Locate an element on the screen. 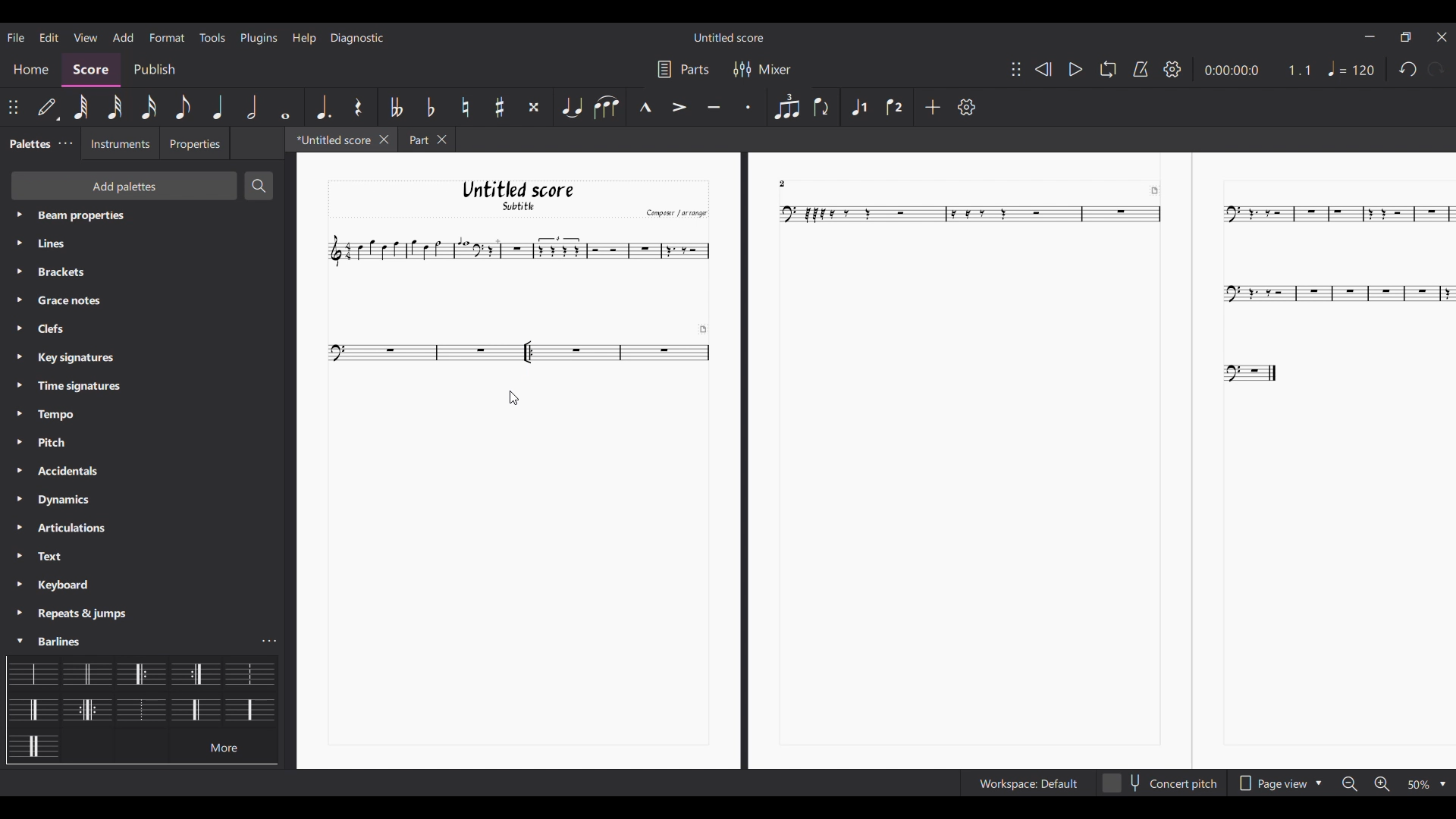 Image resolution: width=1456 pixels, height=819 pixels. Format menu is located at coordinates (166, 37).